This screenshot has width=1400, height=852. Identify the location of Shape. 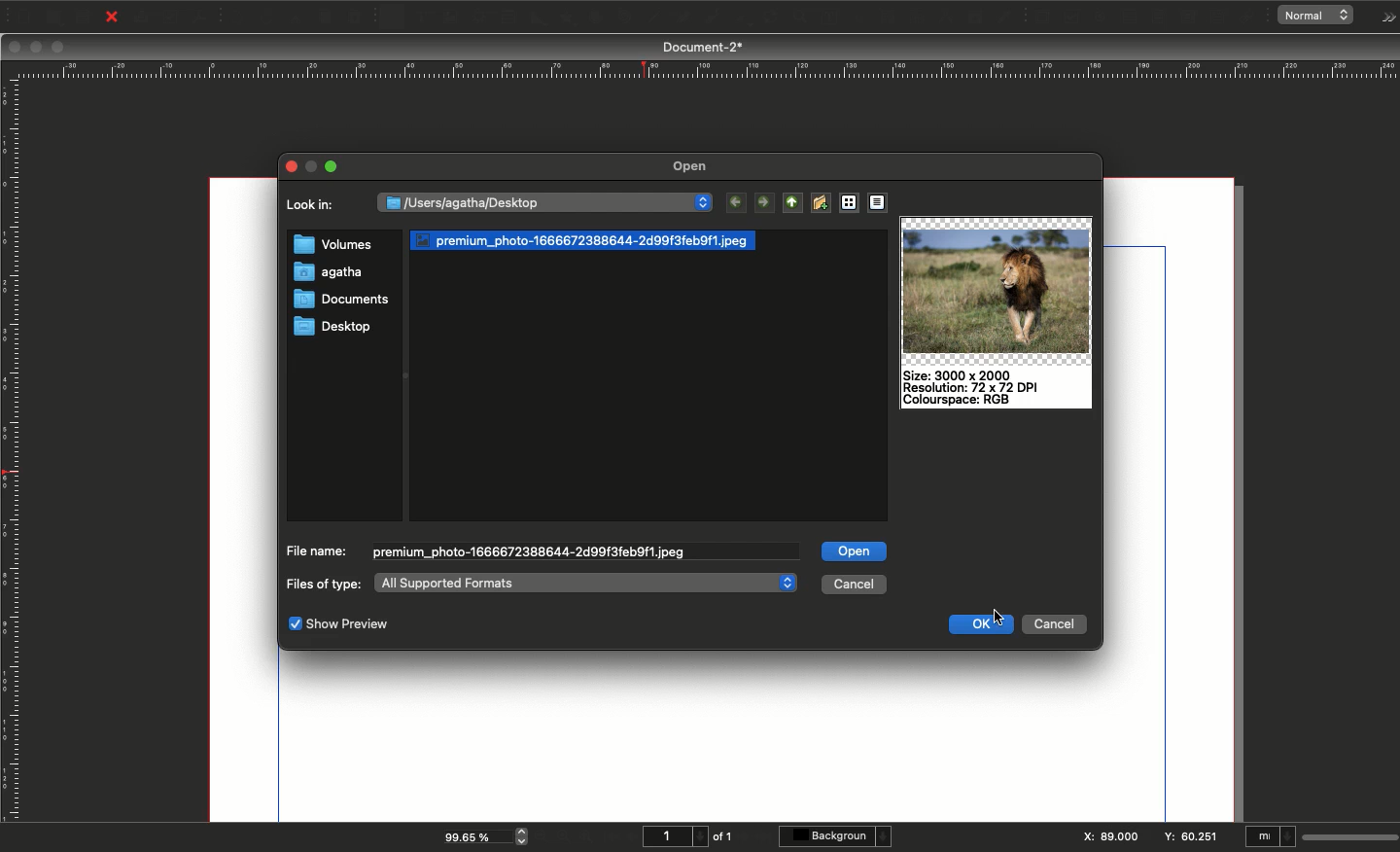
(540, 18).